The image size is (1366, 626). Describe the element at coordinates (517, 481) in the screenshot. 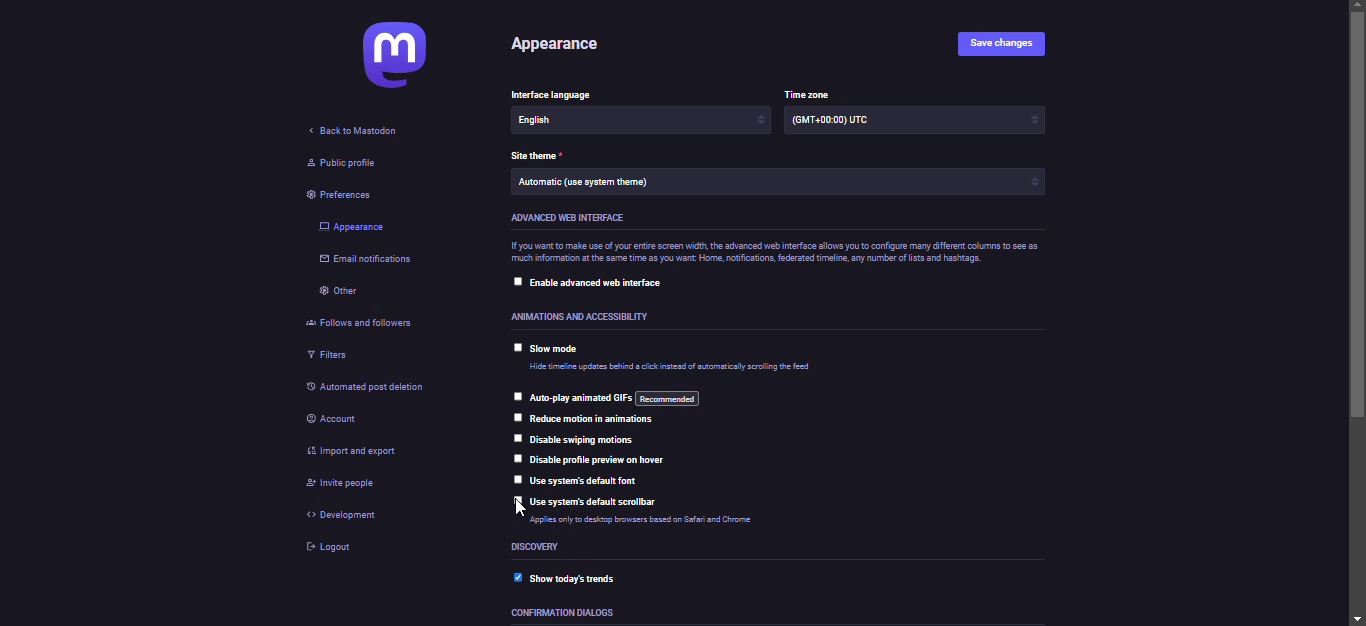

I see `click to select` at that location.